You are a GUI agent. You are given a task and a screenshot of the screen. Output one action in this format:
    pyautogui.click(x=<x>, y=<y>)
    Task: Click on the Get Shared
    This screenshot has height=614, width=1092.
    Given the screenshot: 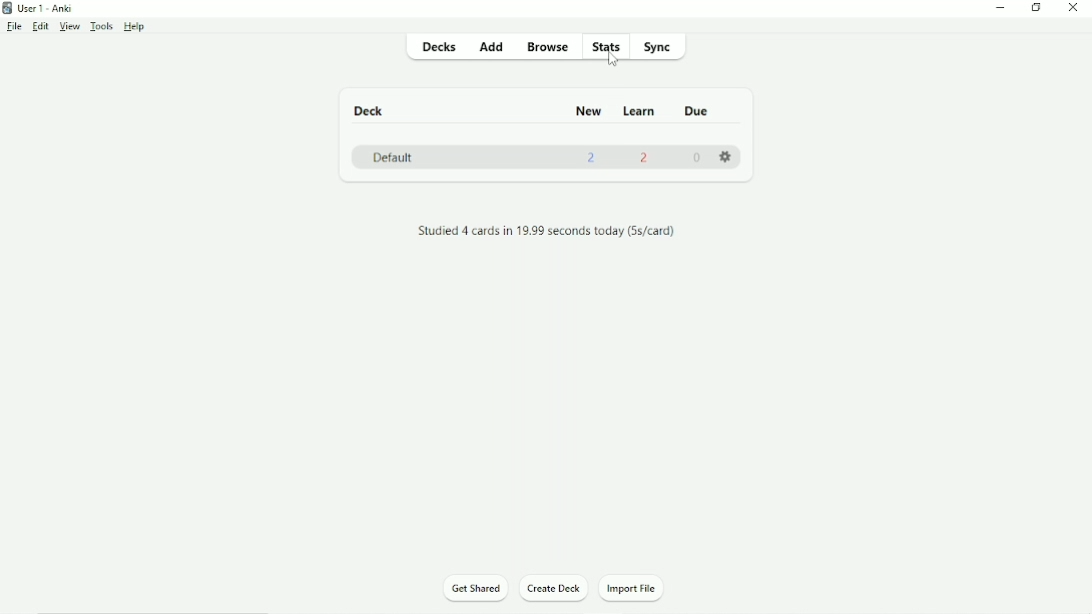 What is the action you would take?
    pyautogui.click(x=476, y=587)
    